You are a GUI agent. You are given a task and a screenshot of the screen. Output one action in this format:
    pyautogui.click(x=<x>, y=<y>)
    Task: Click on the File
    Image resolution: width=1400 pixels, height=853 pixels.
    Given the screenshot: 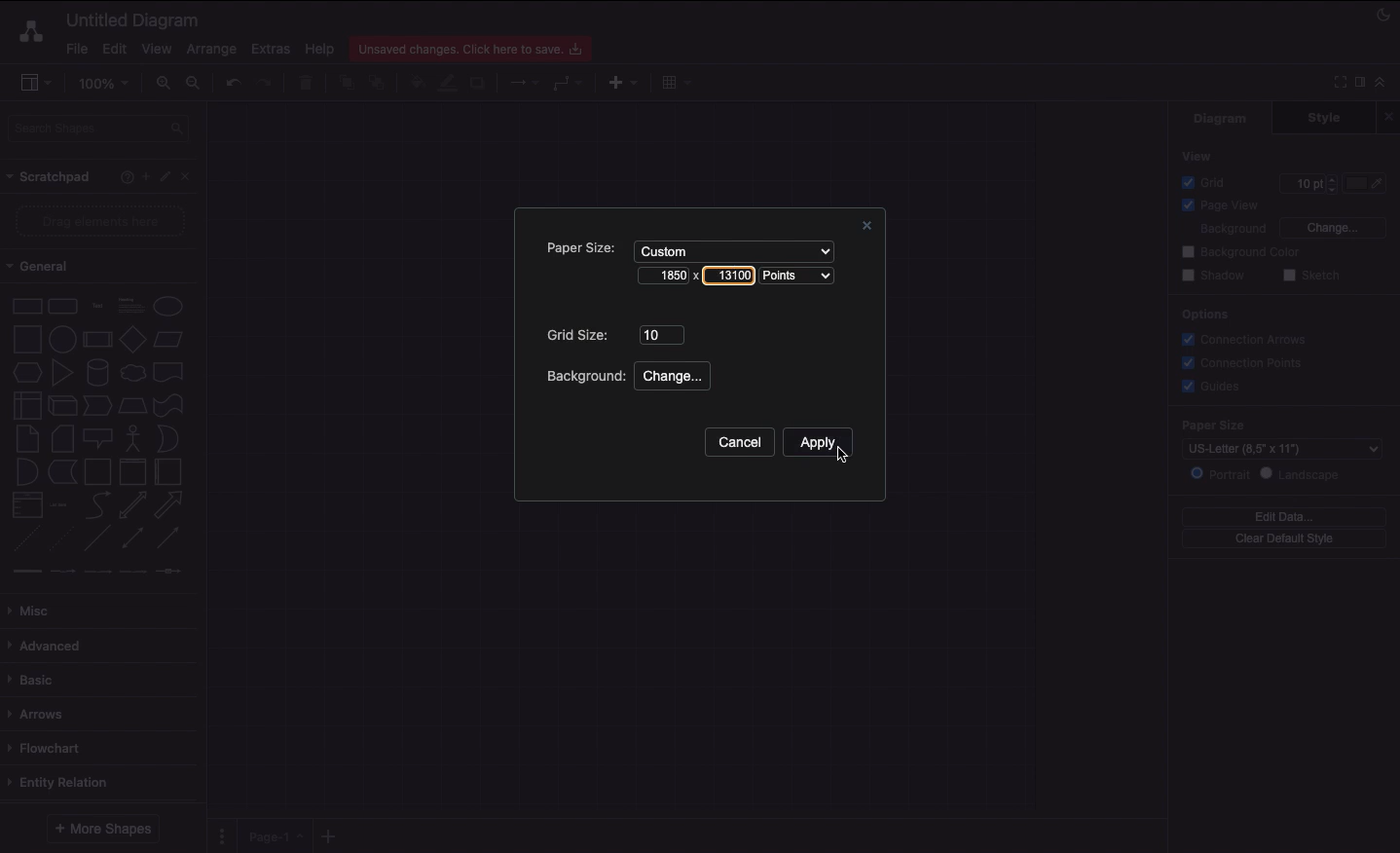 What is the action you would take?
    pyautogui.click(x=75, y=49)
    